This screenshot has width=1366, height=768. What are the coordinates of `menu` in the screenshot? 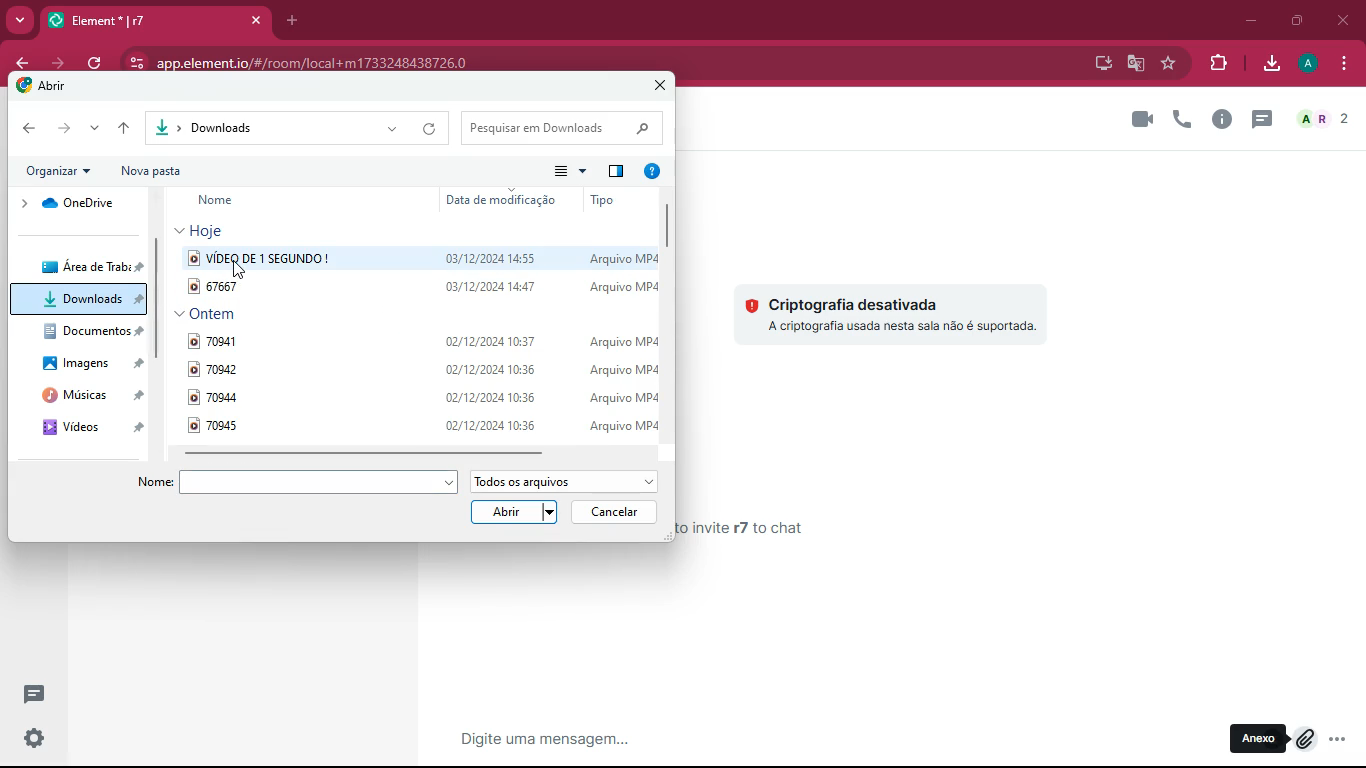 It's located at (1340, 64).